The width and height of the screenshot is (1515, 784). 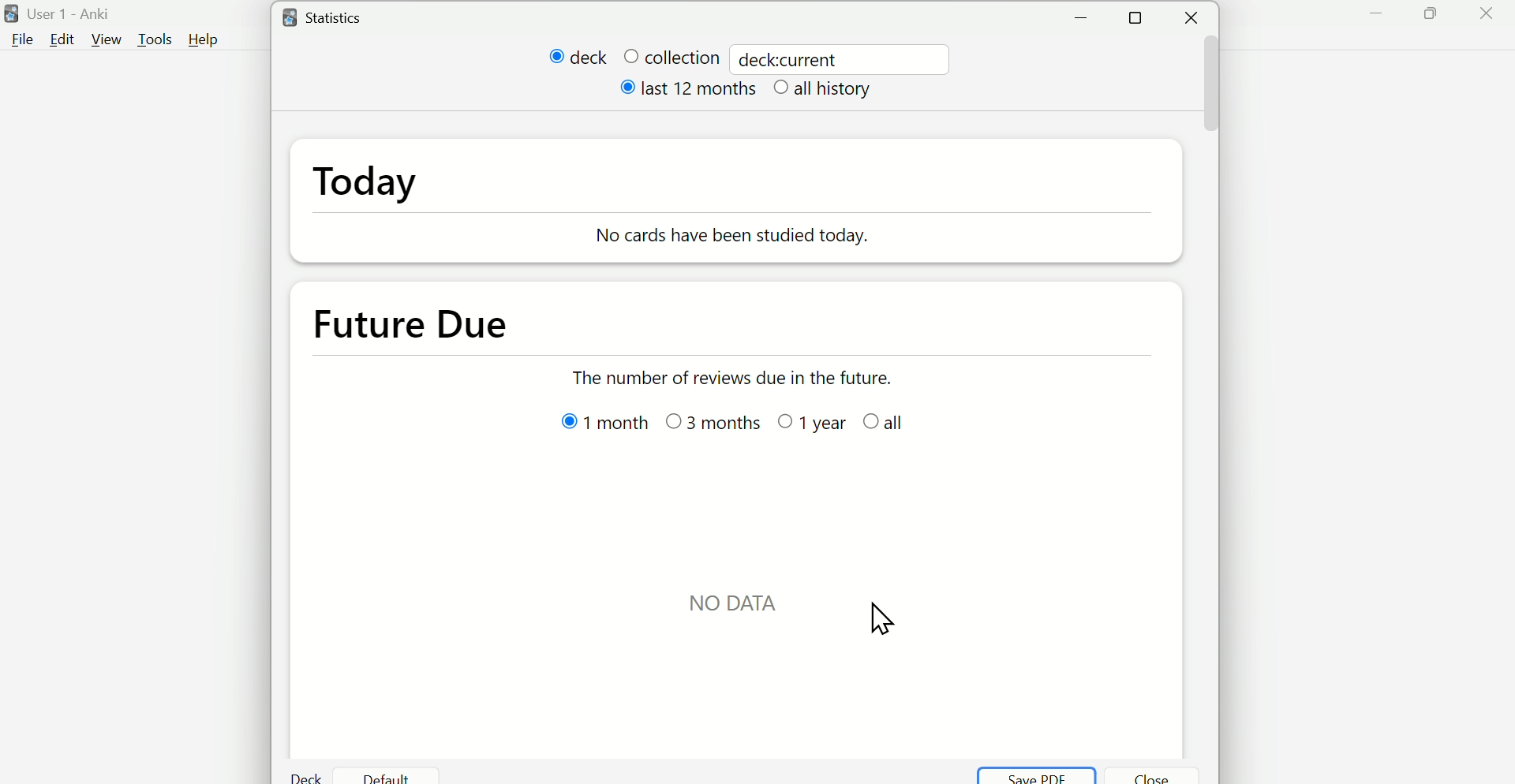 What do you see at coordinates (1161, 775) in the screenshot?
I see `Close` at bounding box center [1161, 775].